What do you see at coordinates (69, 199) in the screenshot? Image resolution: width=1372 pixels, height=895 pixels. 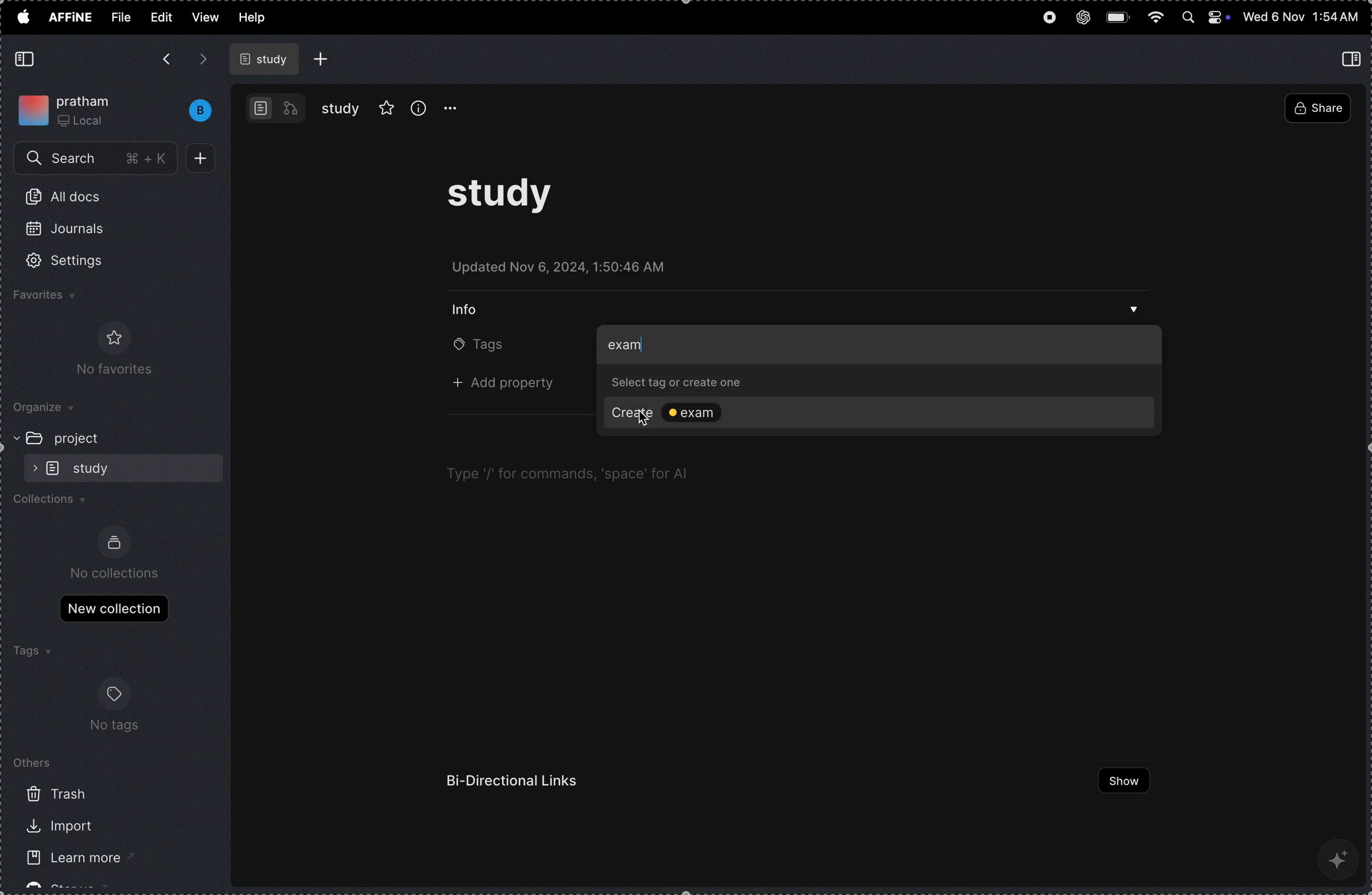 I see `all docs` at bounding box center [69, 199].